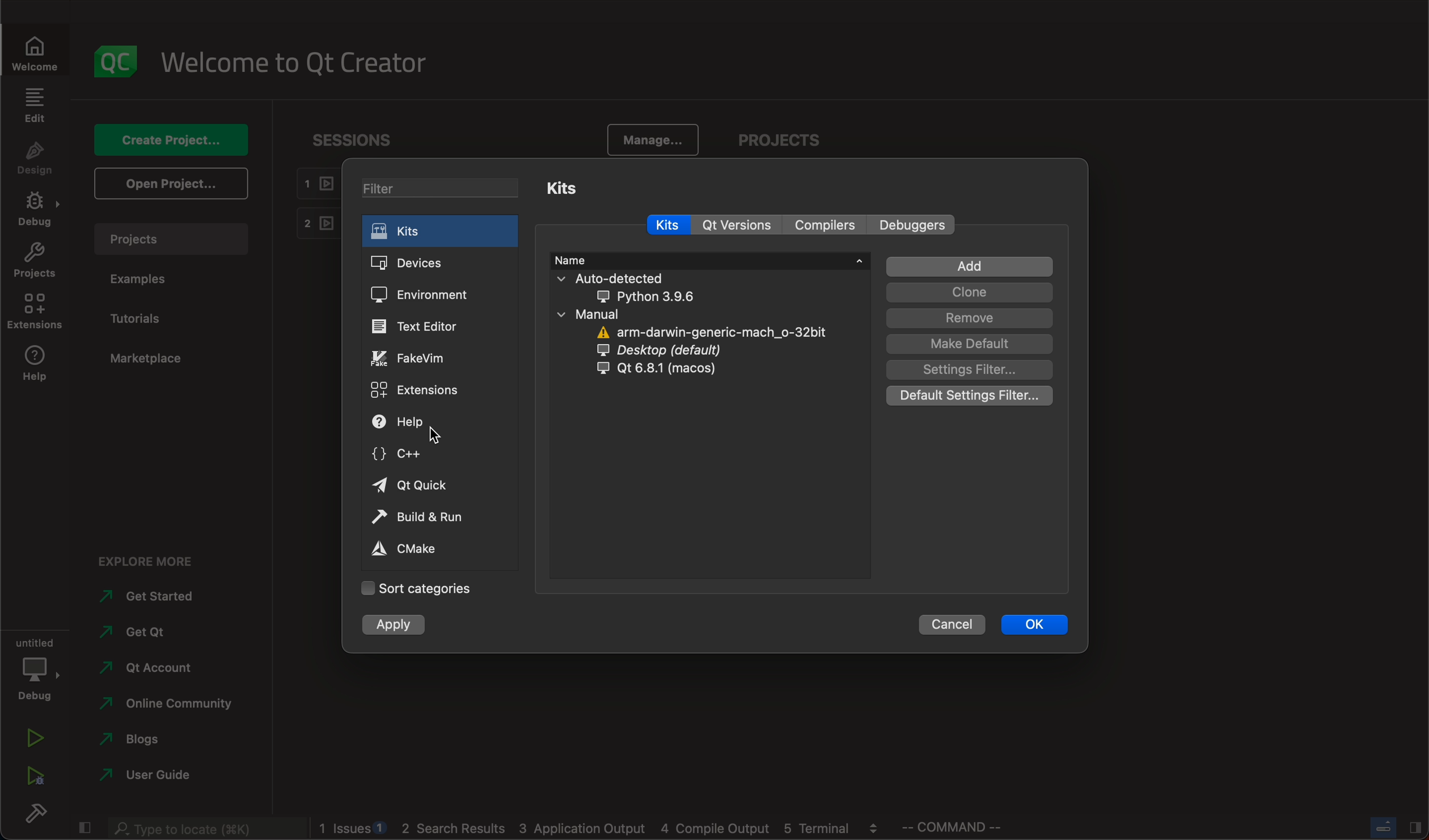 This screenshot has width=1429, height=840. Describe the element at coordinates (967, 369) in the screenshot. I see `settings` at that location.